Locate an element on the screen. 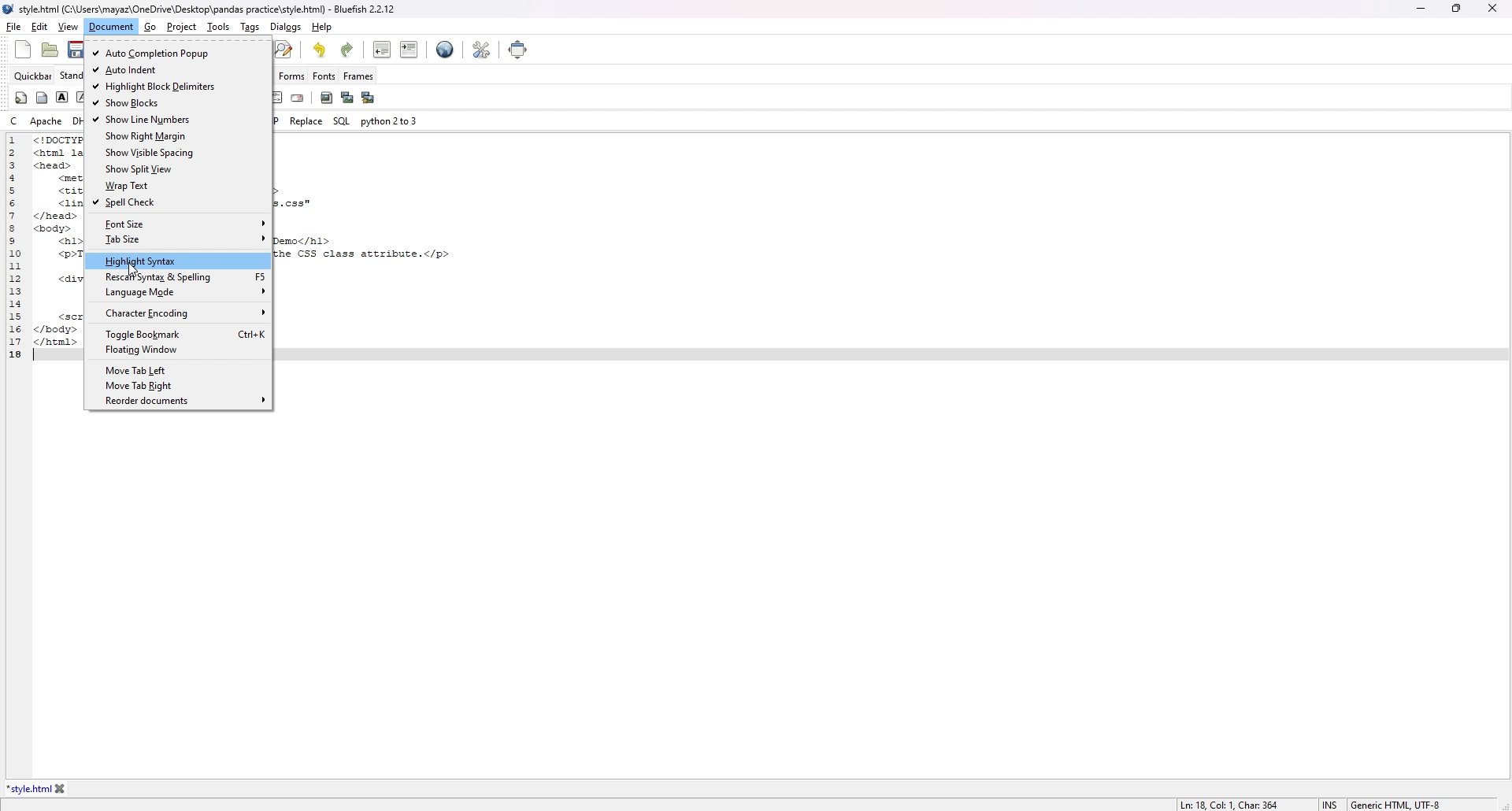  web preview is located at coordinates (445, 49).